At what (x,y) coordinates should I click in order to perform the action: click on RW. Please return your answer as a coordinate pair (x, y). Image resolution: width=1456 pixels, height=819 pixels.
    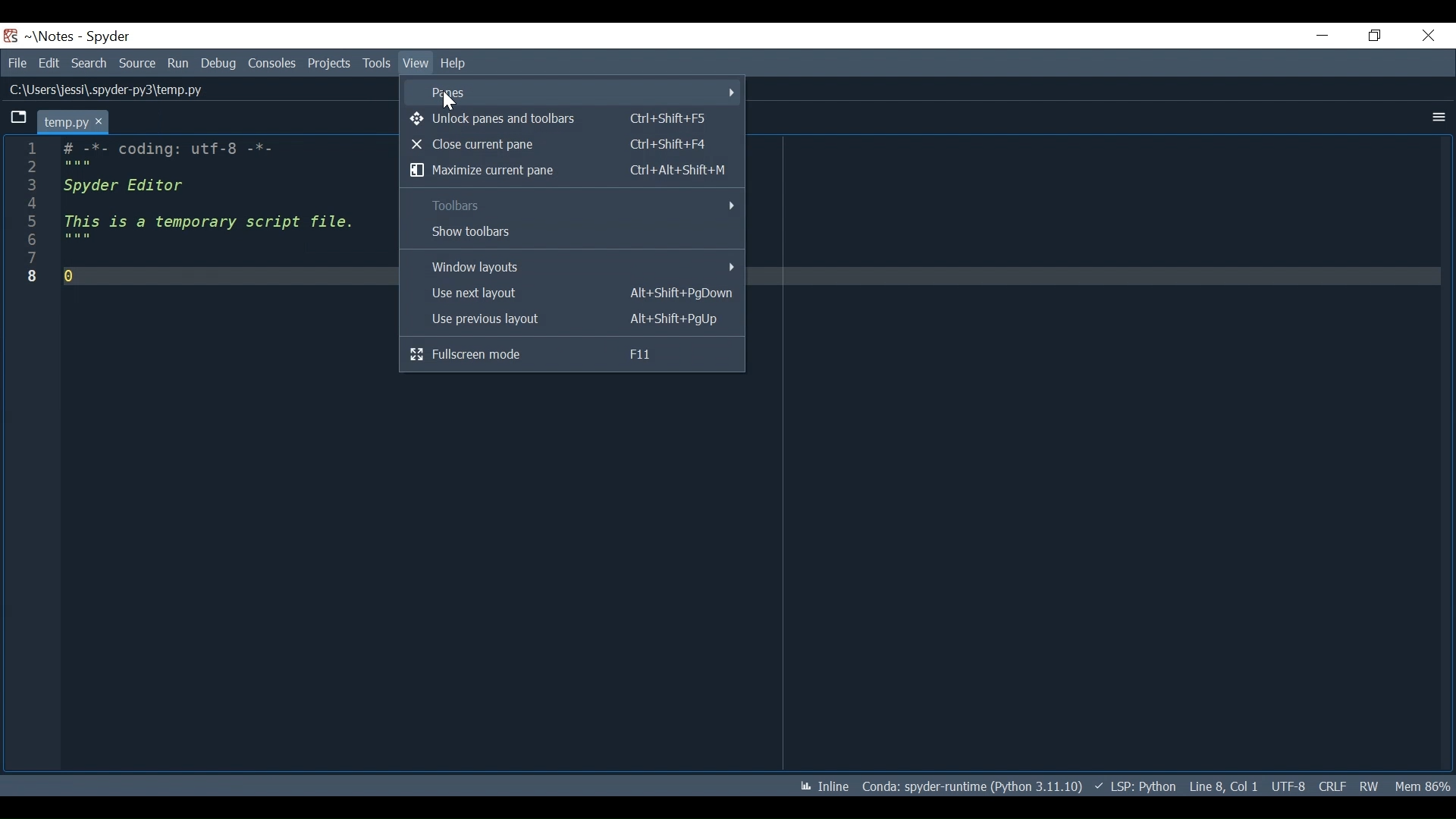
    Looking at the image, I should click on (1373, 787).